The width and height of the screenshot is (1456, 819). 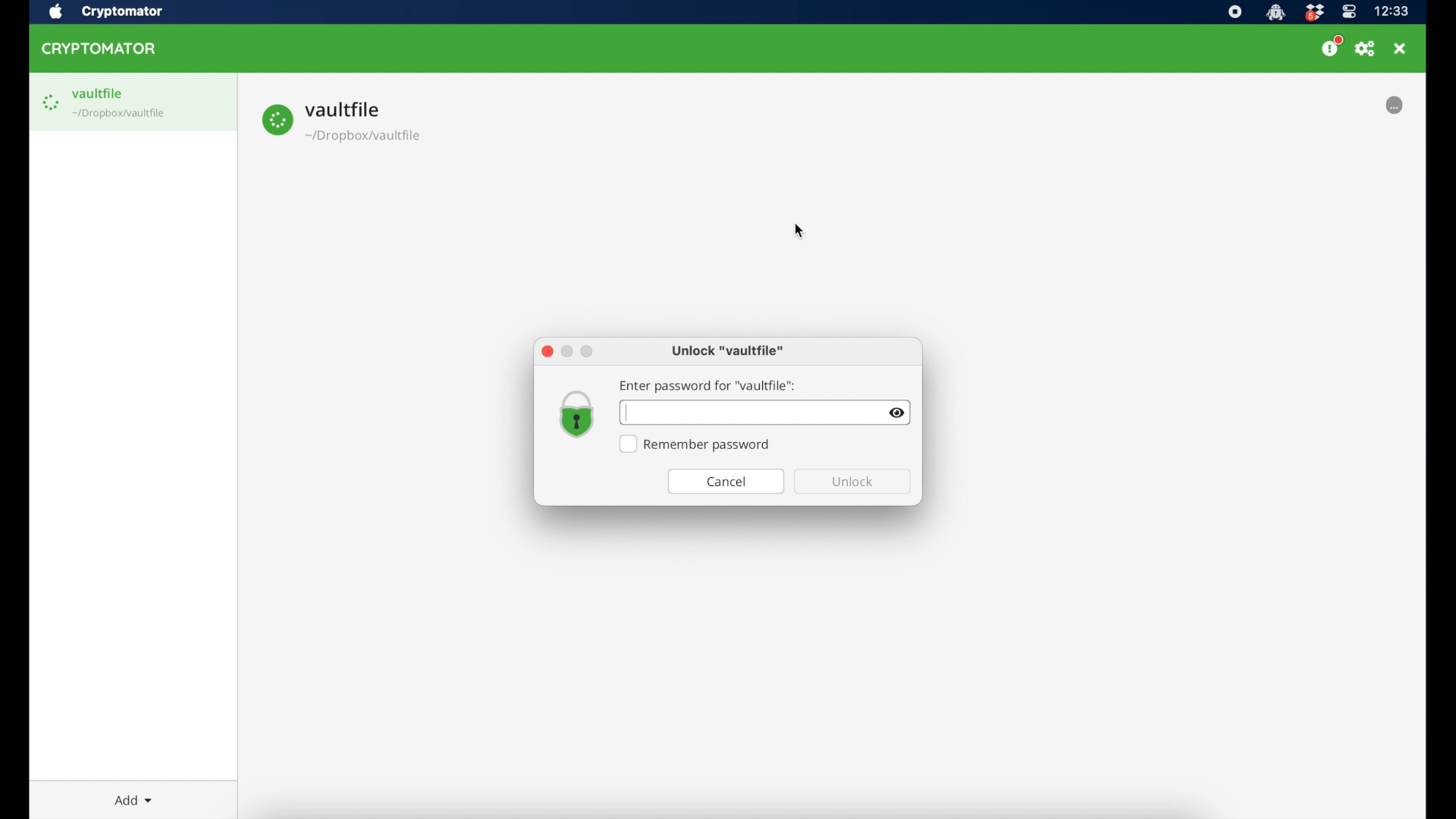 I want to click on cryptomator icon, so click(x=1275, y=12).